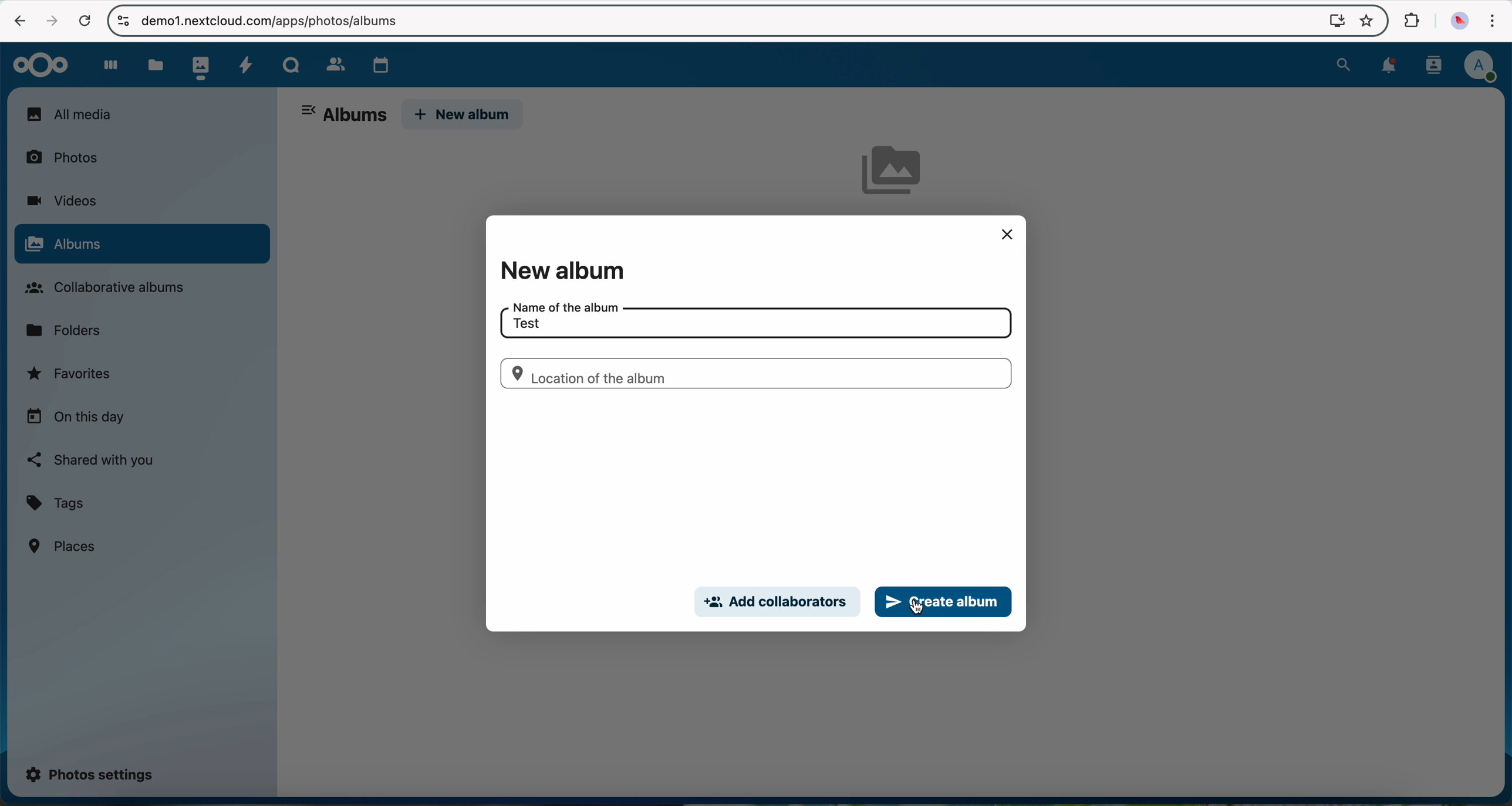 This screenshot has height=806, width=1512. What do you see at coordinates (464, 116) in the screenshot?
I see `click on new album` at bounding box center [464, 116].